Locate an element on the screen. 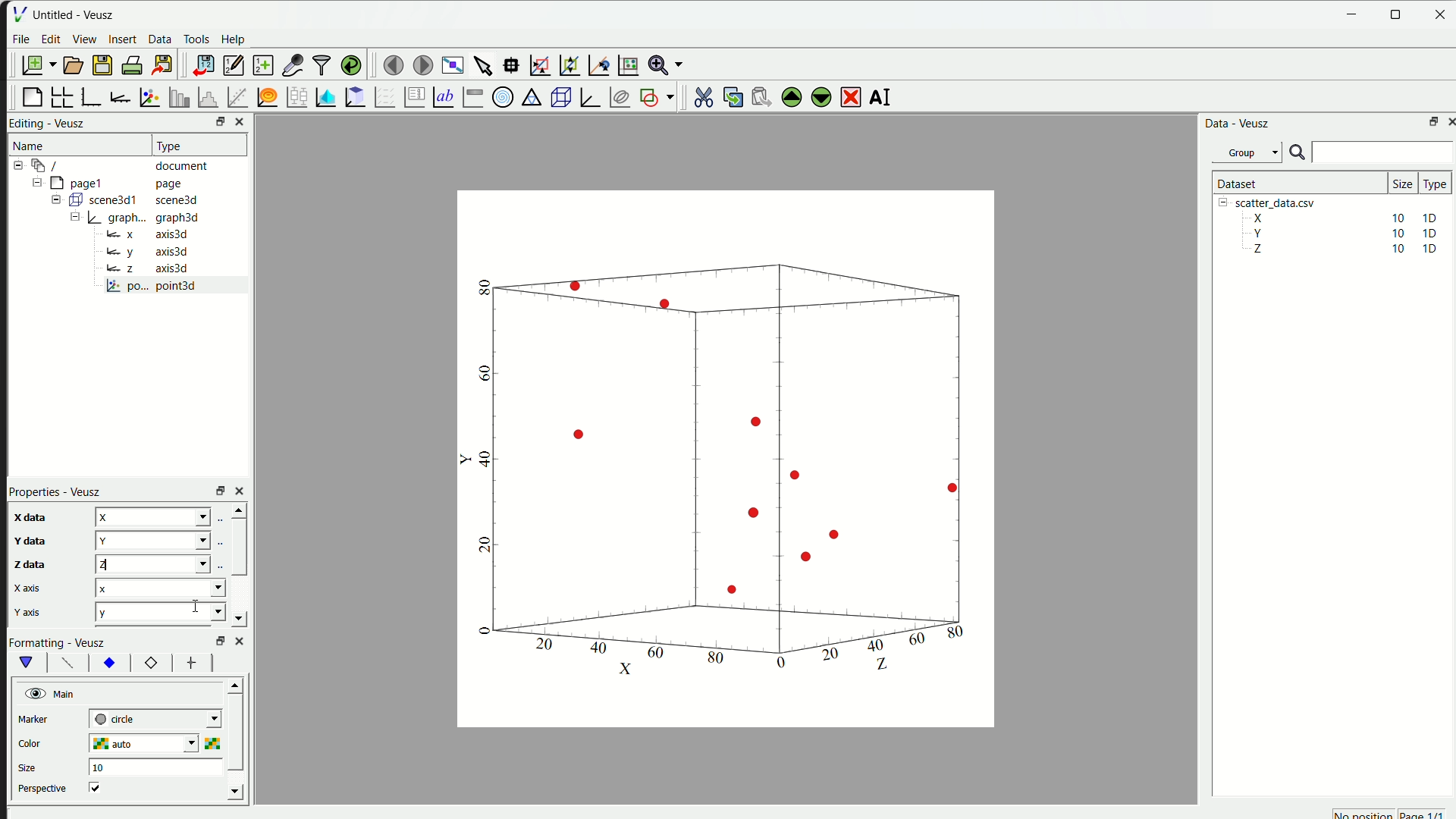 This screenshot has height=819, width=1456. | Type is located at coordinates (1432, 184).